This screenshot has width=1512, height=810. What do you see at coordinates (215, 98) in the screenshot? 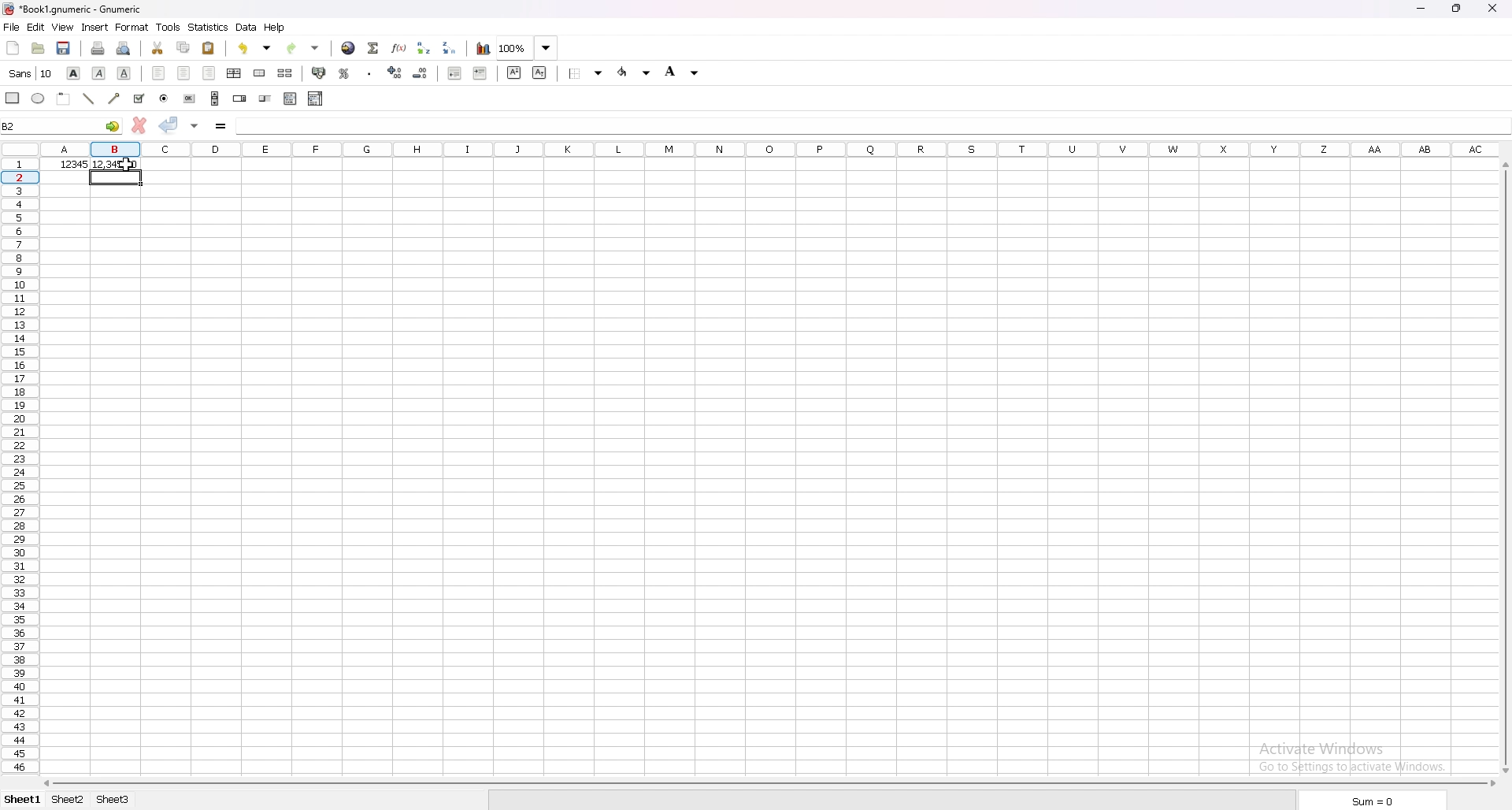
I see `scroll bar` at bounding box center [215, 98].